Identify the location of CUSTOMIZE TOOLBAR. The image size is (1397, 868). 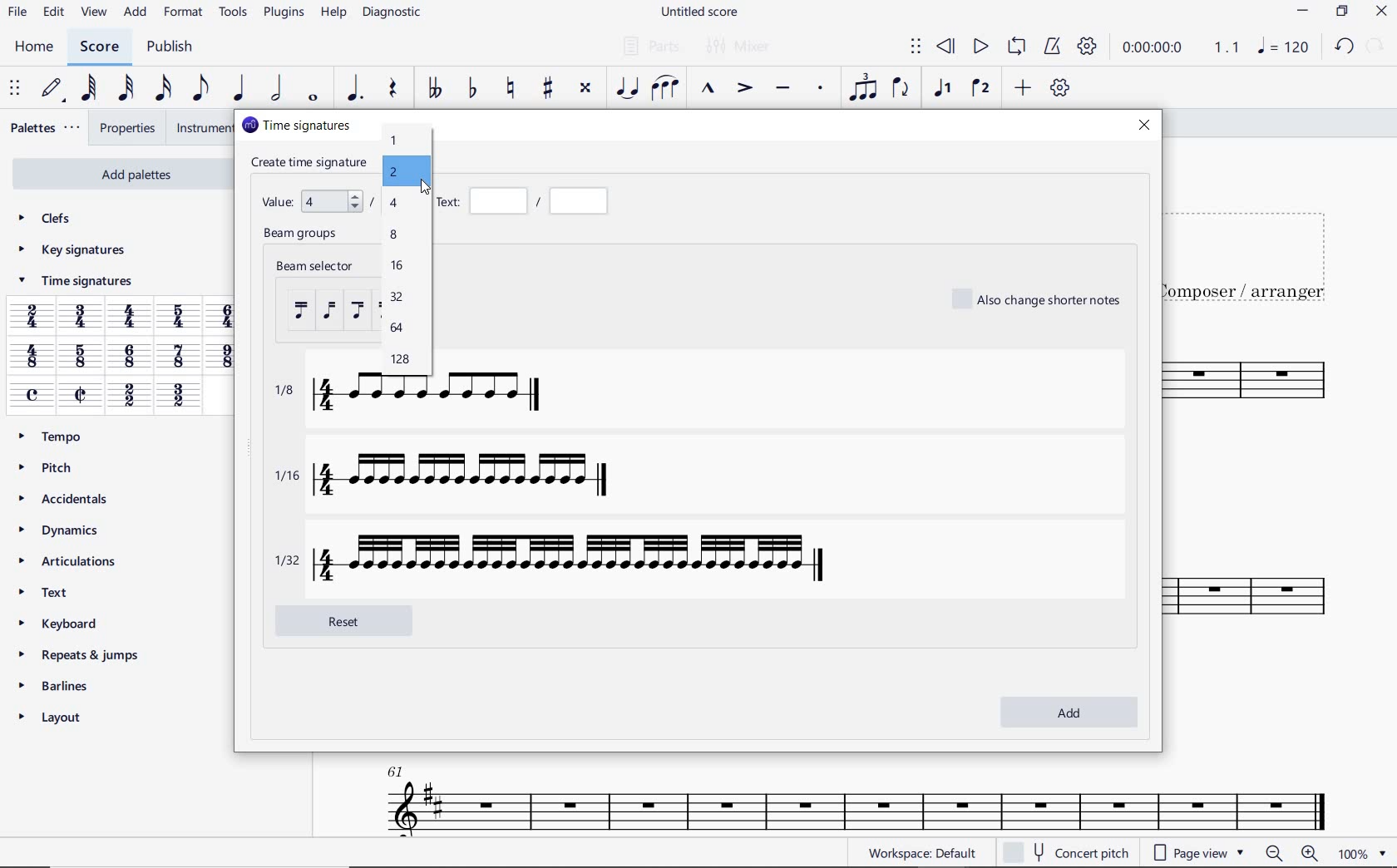
(1058, 87).